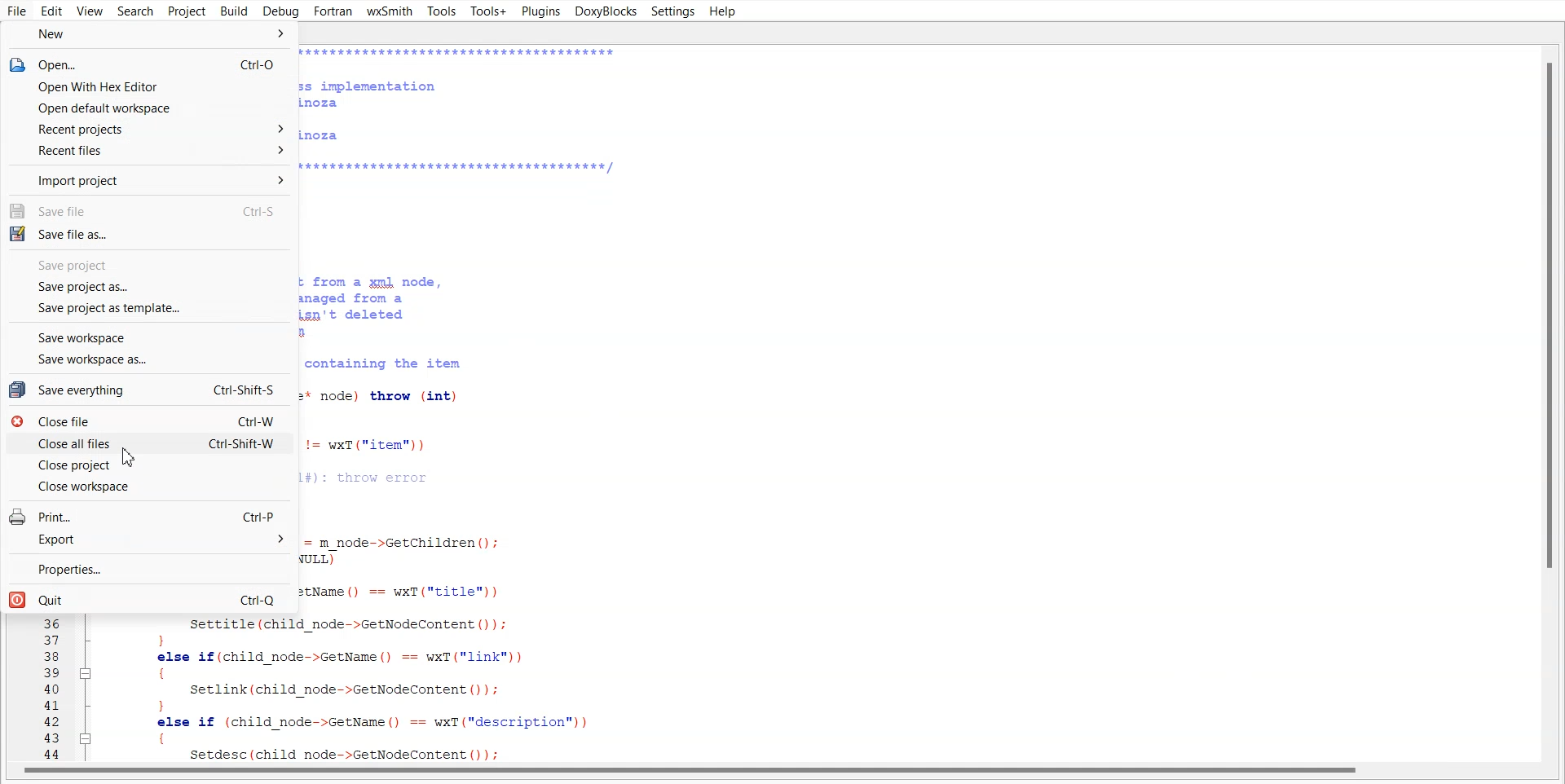  Describe the element at coordinates (148, 265) in the screenshot. I see `Save project` at that location.